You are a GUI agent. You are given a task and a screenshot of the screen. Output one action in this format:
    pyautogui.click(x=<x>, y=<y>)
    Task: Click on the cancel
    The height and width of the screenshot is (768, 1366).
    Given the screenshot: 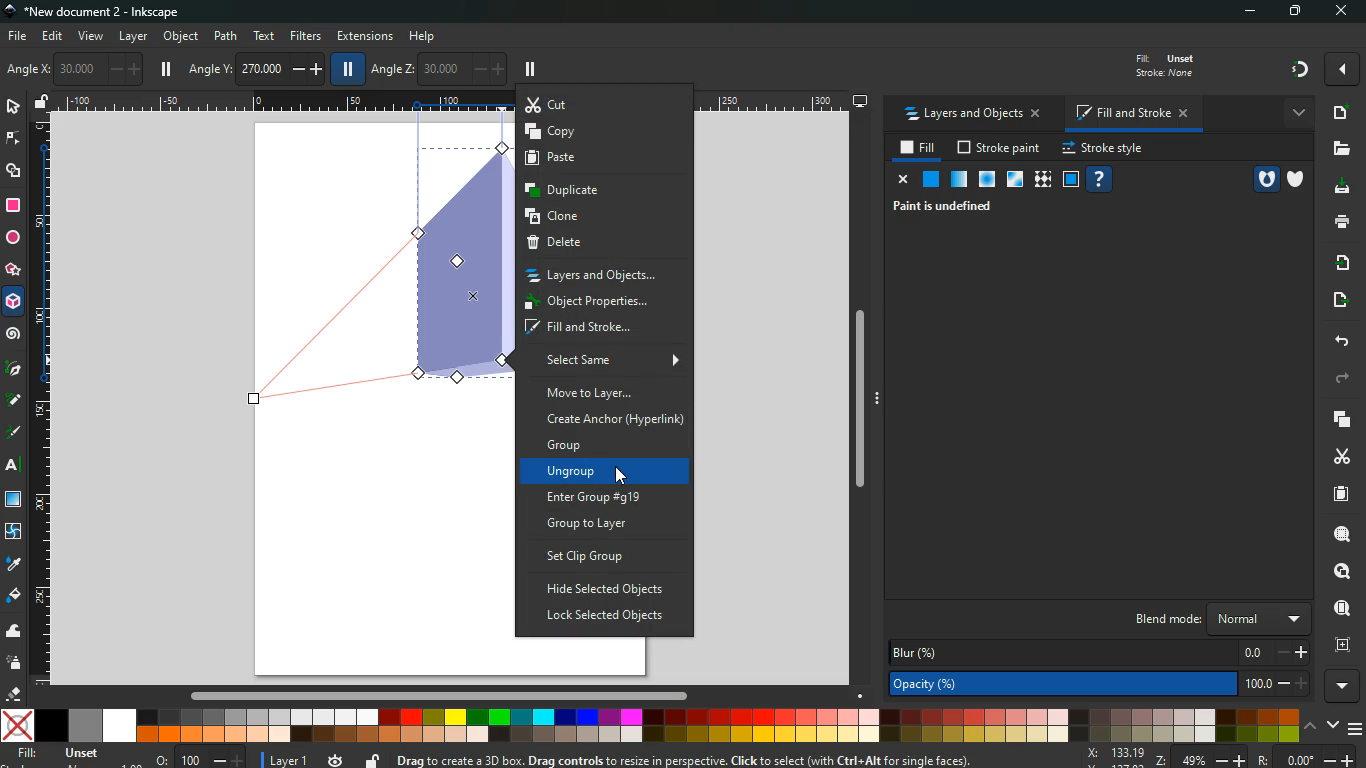 What is the action you would take?
    pyautogui.click(x=900, y=180)
    